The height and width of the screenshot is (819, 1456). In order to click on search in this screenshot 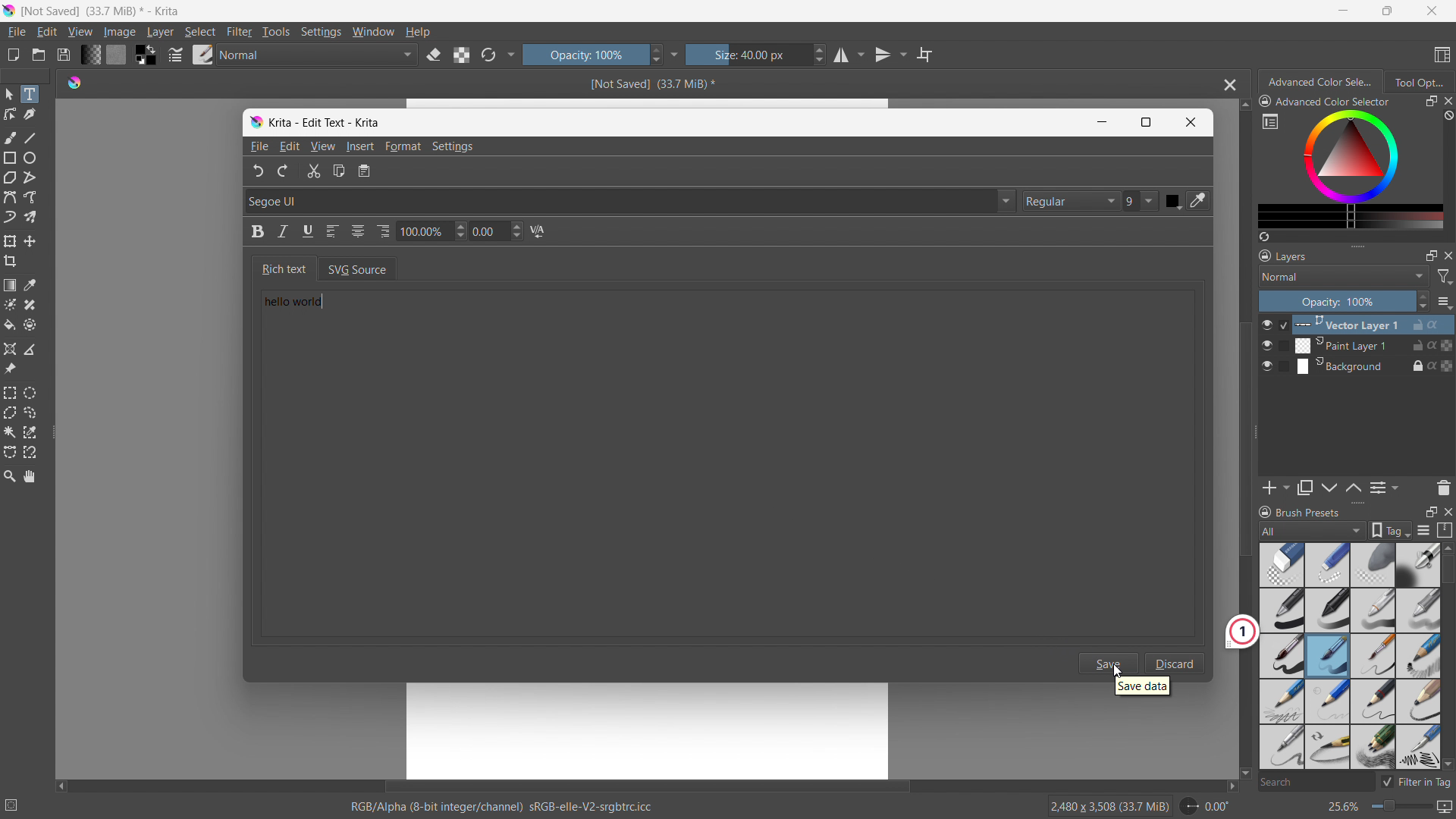, I will do `click(1314, 783)`.